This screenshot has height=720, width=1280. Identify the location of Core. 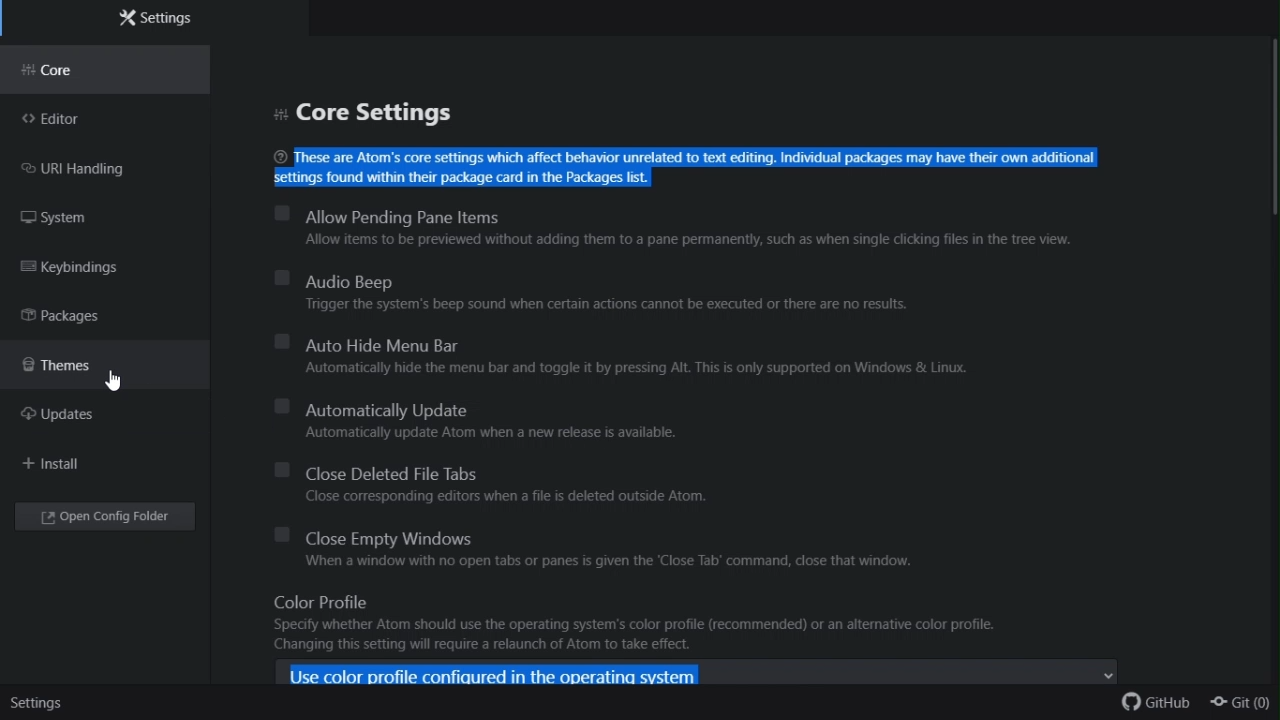
(74, 71).